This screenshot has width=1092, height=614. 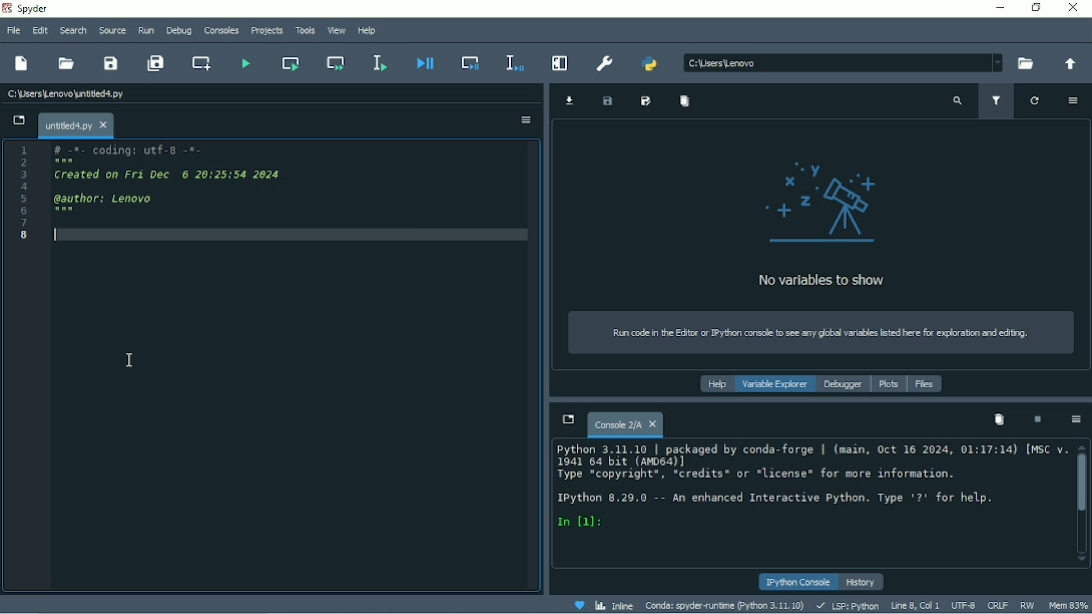 What do you see at coordinates (625, 426) in the screenshot?
I see `Console` at bounding box center [625, 426].